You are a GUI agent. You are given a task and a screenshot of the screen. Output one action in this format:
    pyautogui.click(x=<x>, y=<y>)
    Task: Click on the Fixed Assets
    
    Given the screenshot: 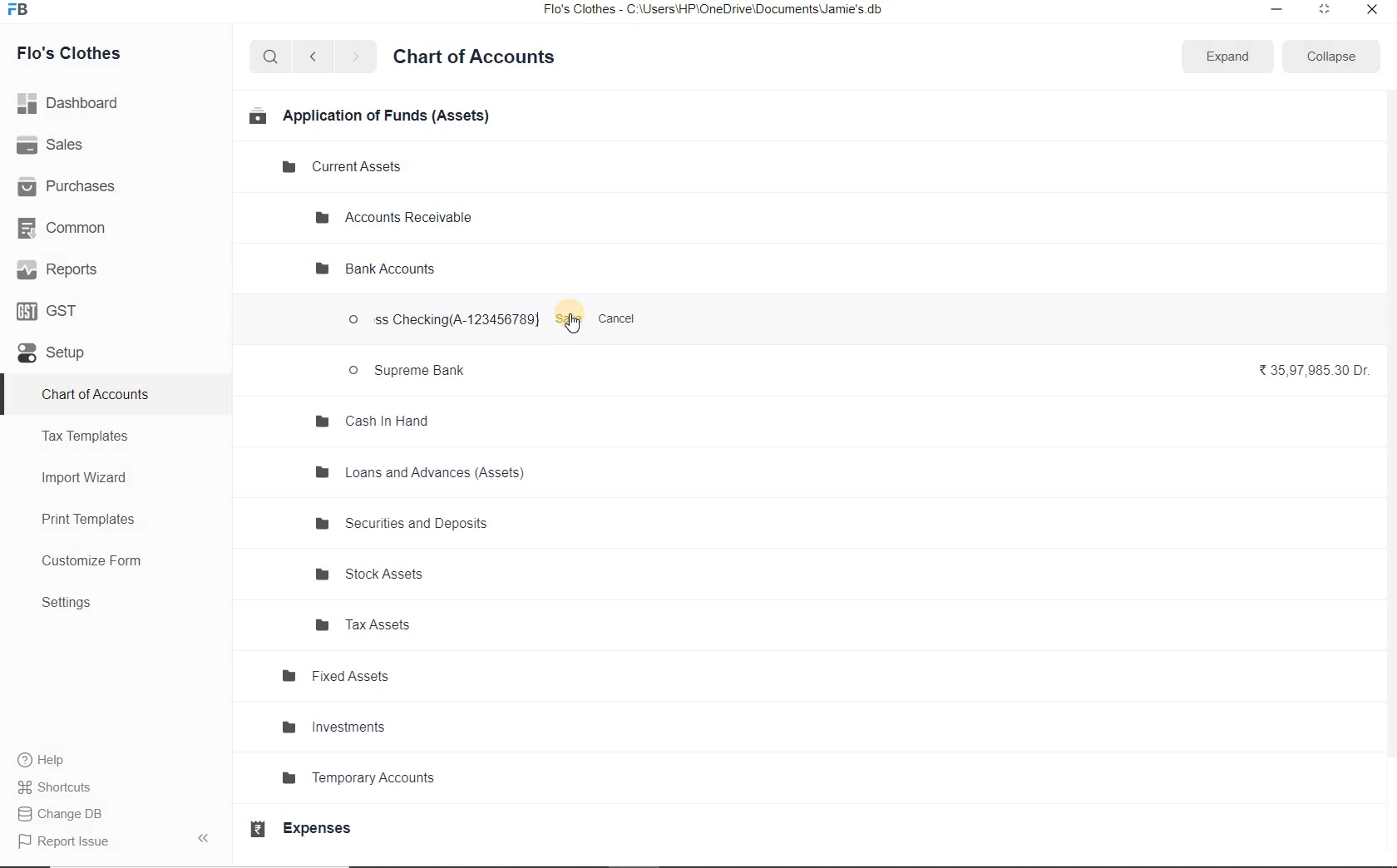 What is the action you would take?
    pyautogui.click(x=357, y=674)
    